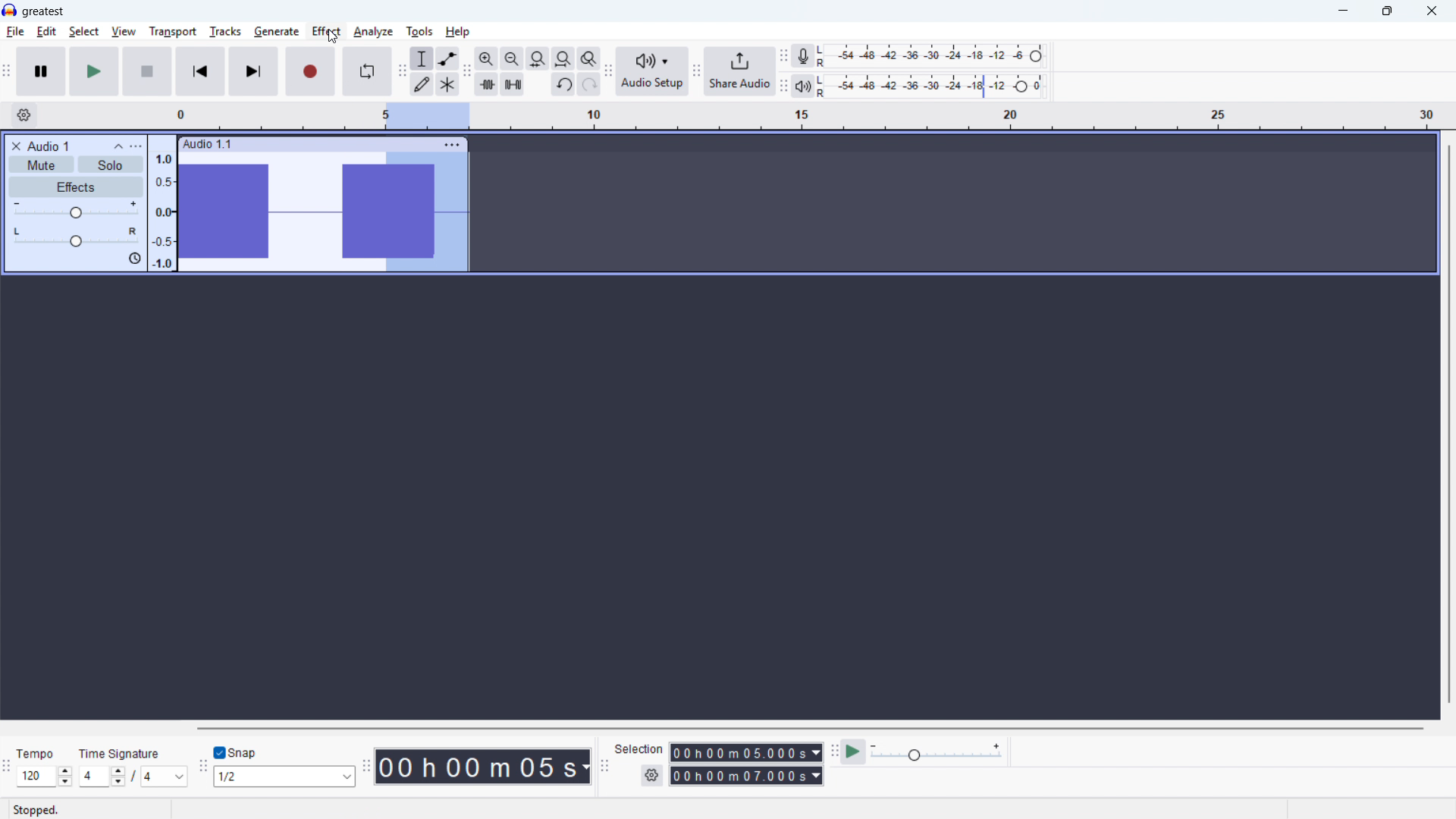  I want to click on Tools toolbar , so click(403, 71).